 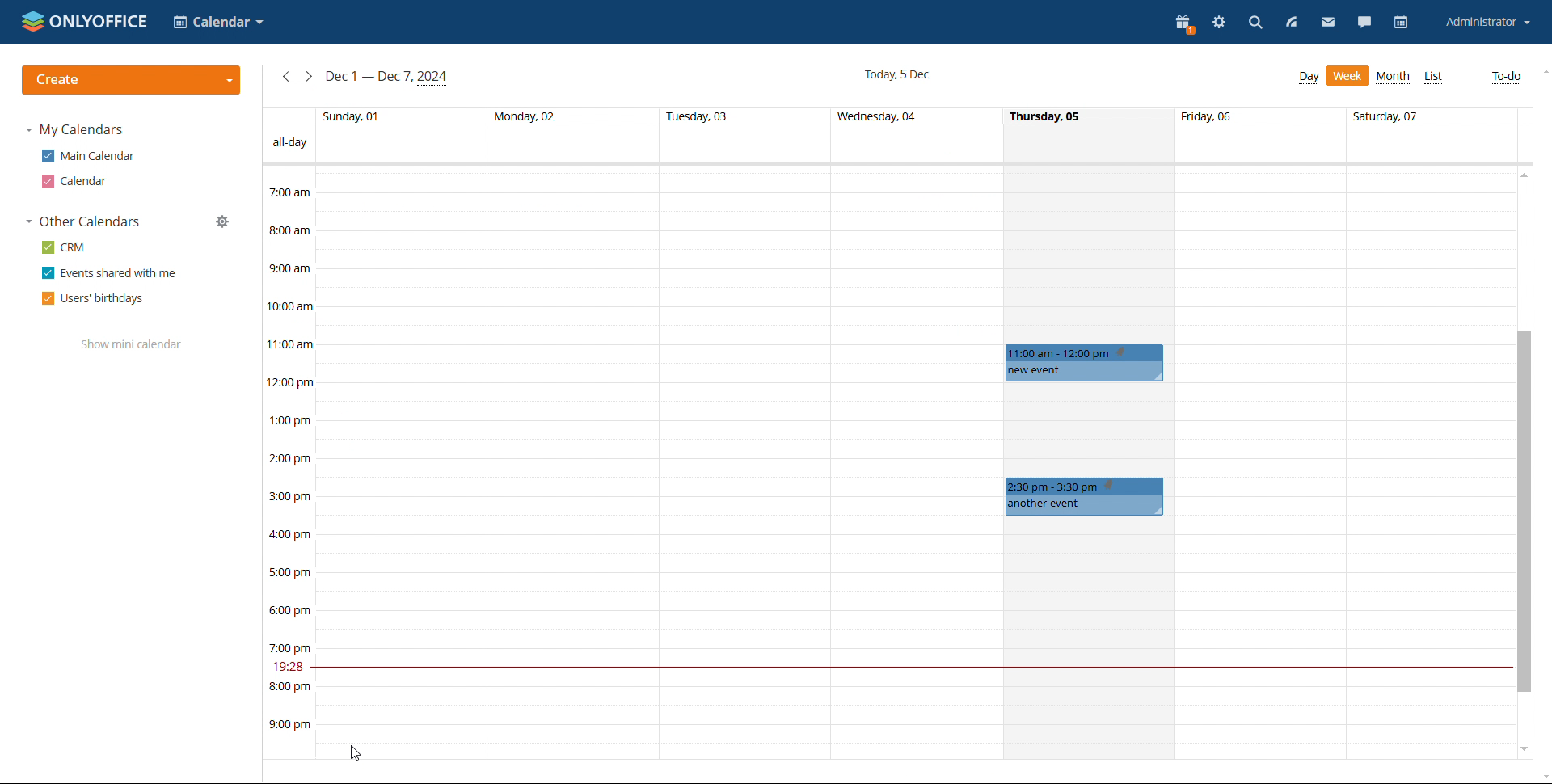 What do you see at coordinates (701, 116) in the screenshot?
I see `Tuesday, 03` at bounding box center [701, 116].